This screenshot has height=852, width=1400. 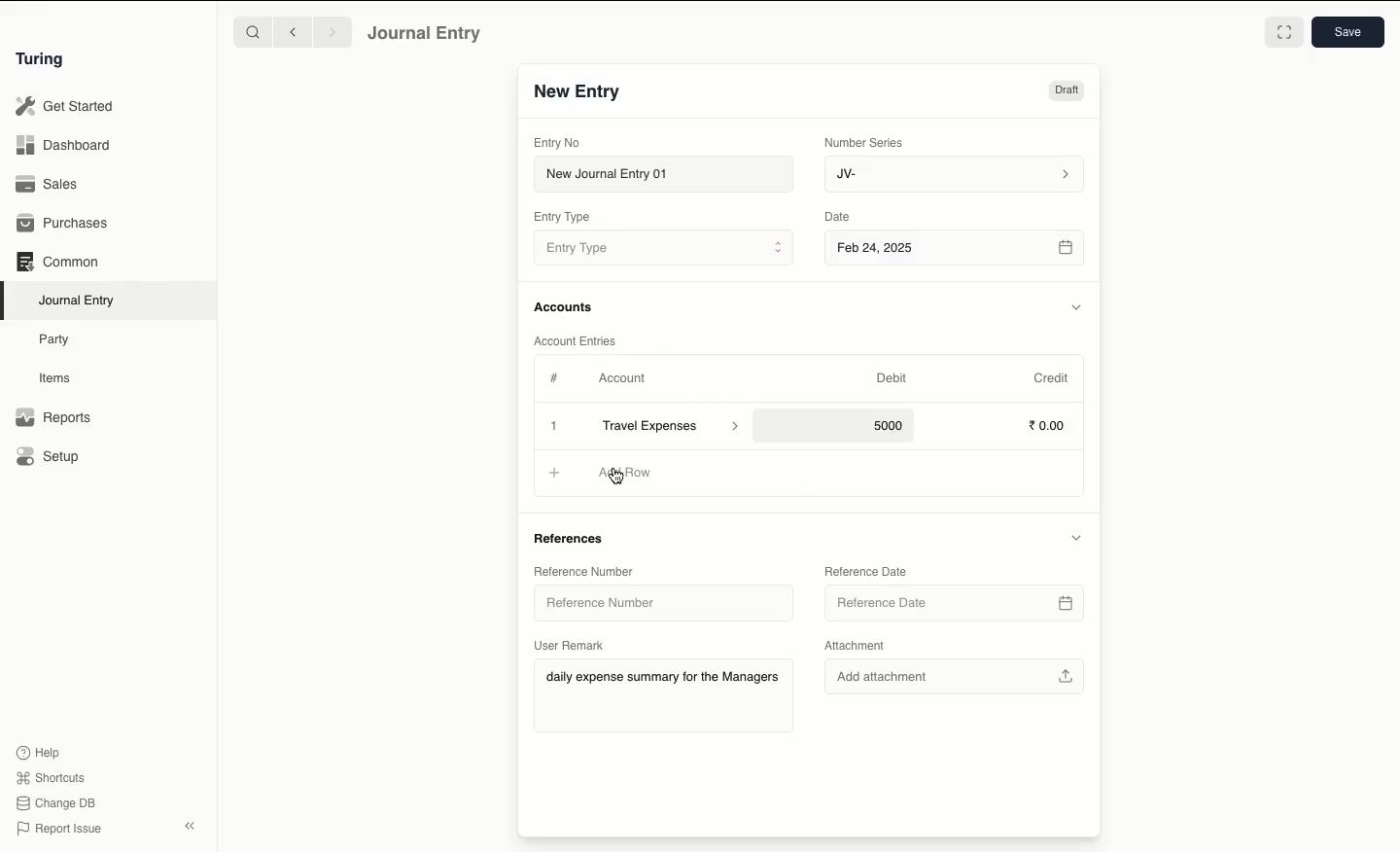 What do you see at coordinates (662, 173) in the screenshot?
I see `New Journal Entry 01` at bounding box center [662, 173].